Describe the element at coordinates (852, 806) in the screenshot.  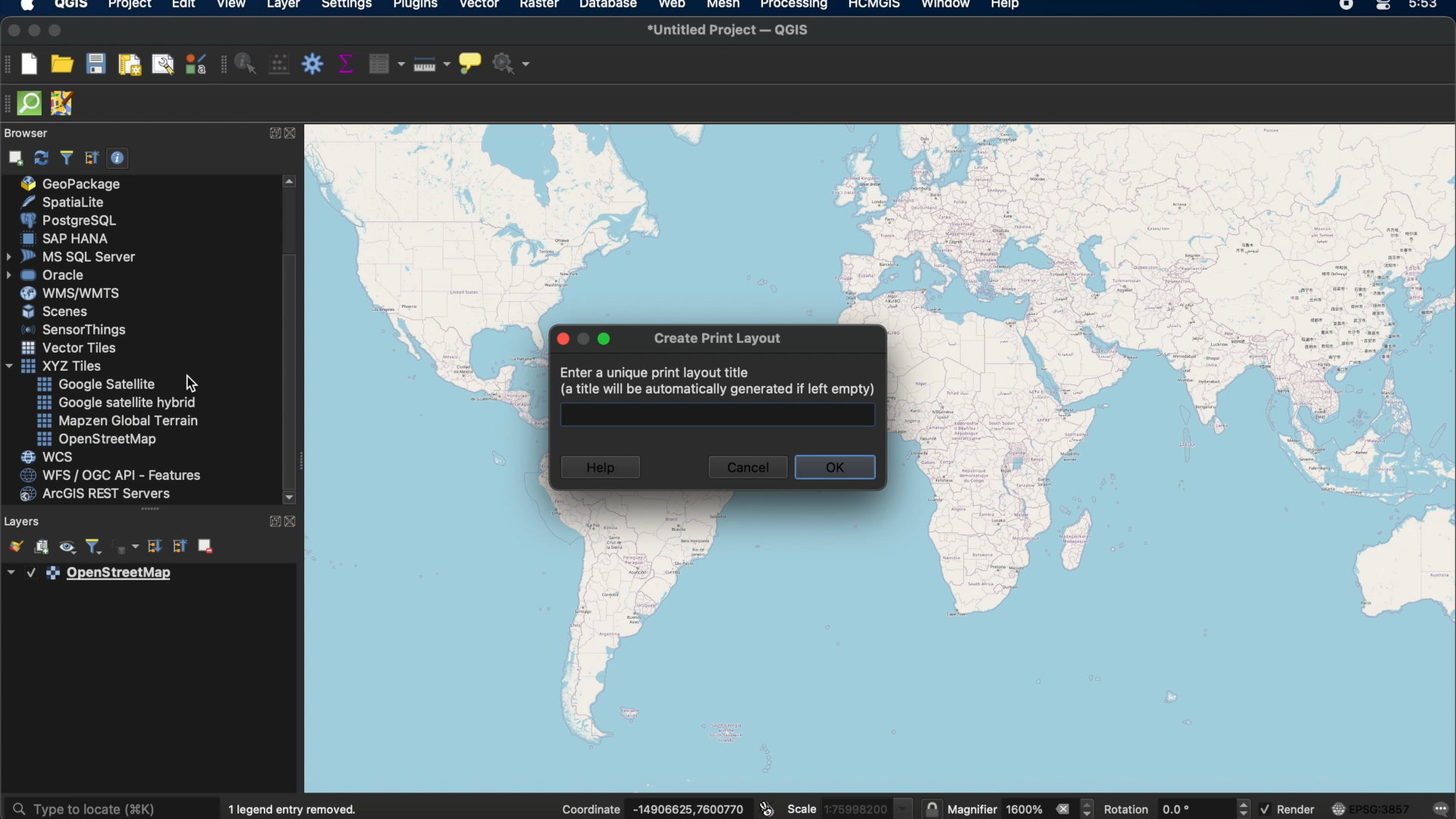
I see `scale` at that location.